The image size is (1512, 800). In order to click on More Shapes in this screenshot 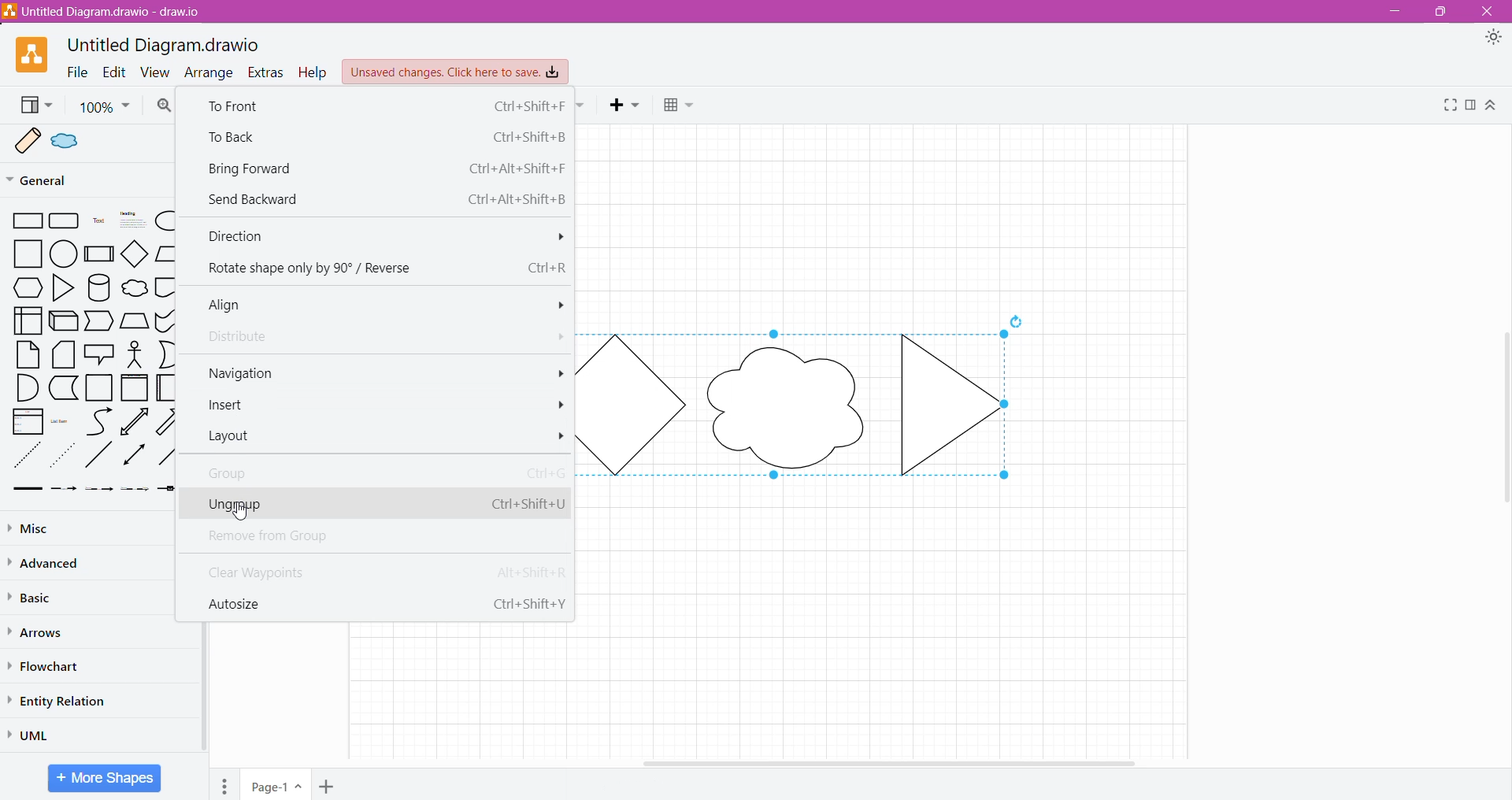, I will do `click(104, 778)`.